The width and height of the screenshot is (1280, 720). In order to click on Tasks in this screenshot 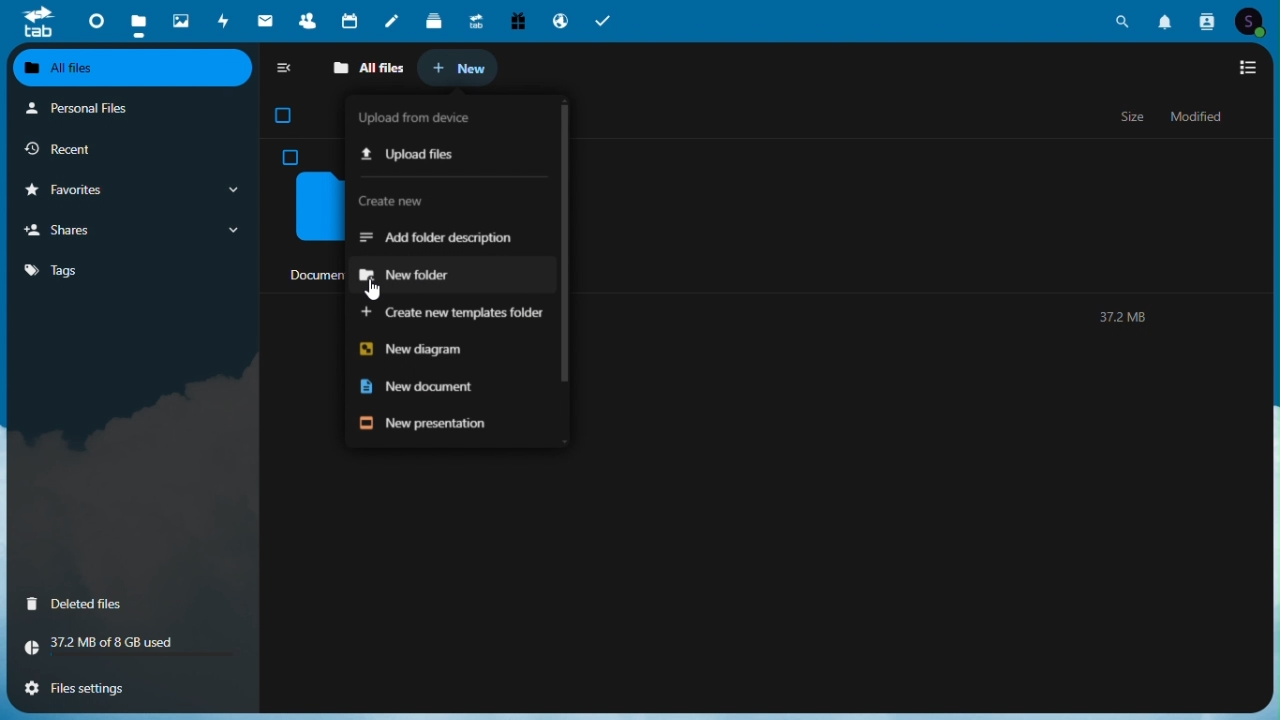, I will do `click(604, 19)`.